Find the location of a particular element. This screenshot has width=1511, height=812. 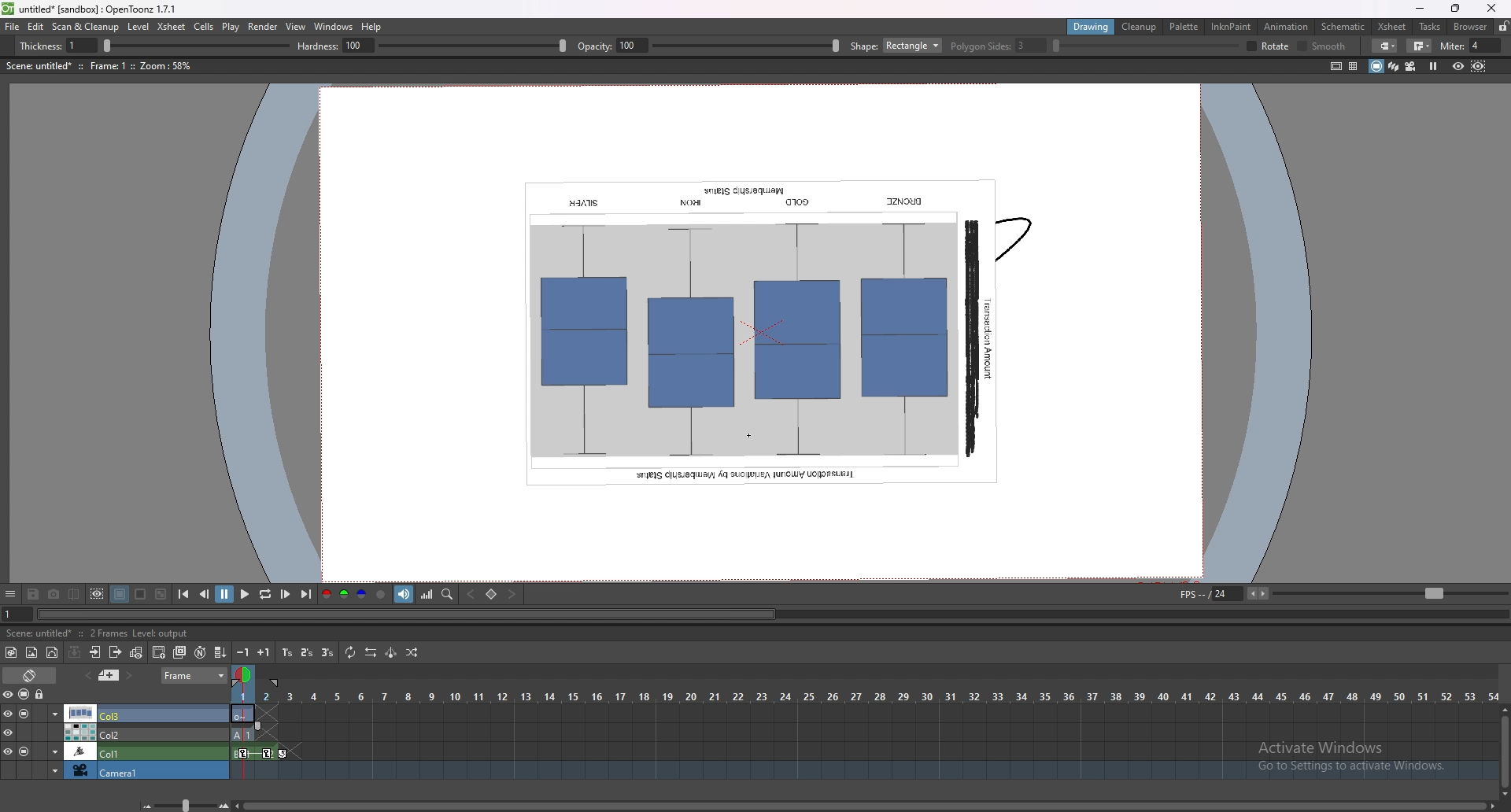

play is located at coordinates (231, 27).